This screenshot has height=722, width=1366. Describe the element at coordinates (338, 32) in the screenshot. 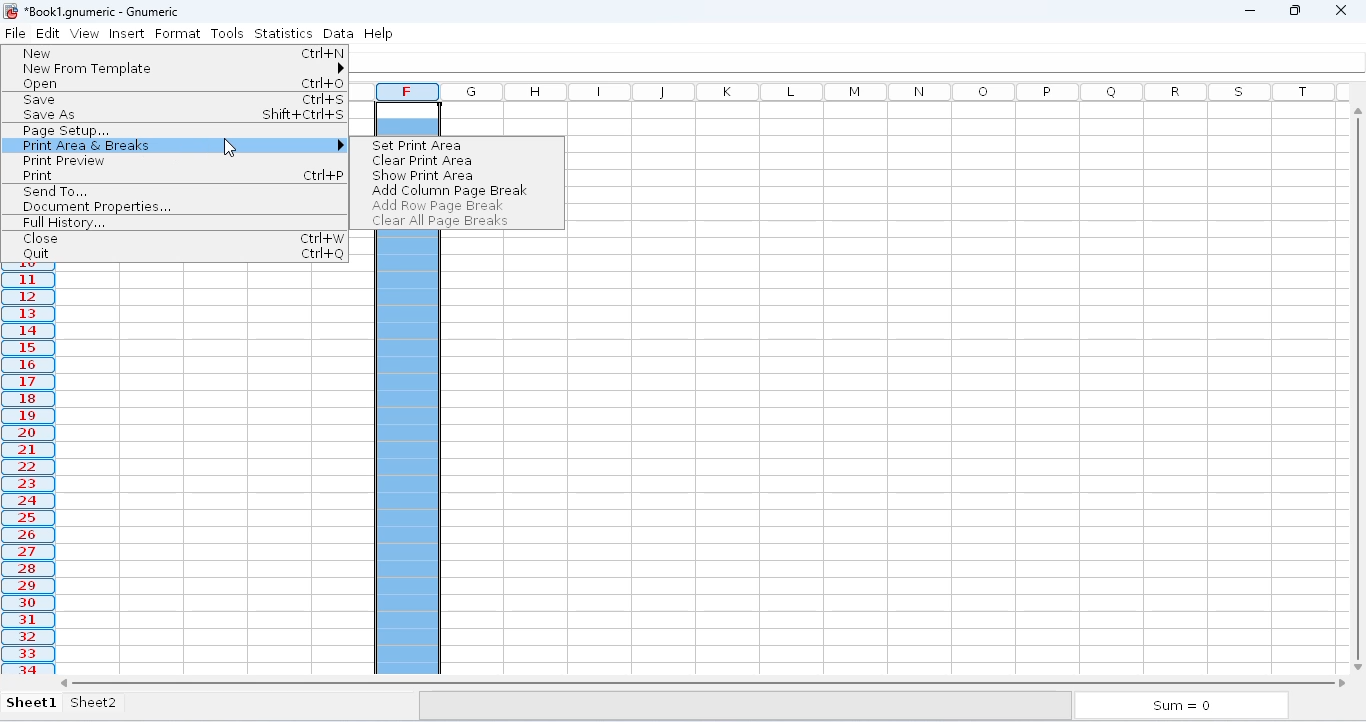

I see `Data` at that location.